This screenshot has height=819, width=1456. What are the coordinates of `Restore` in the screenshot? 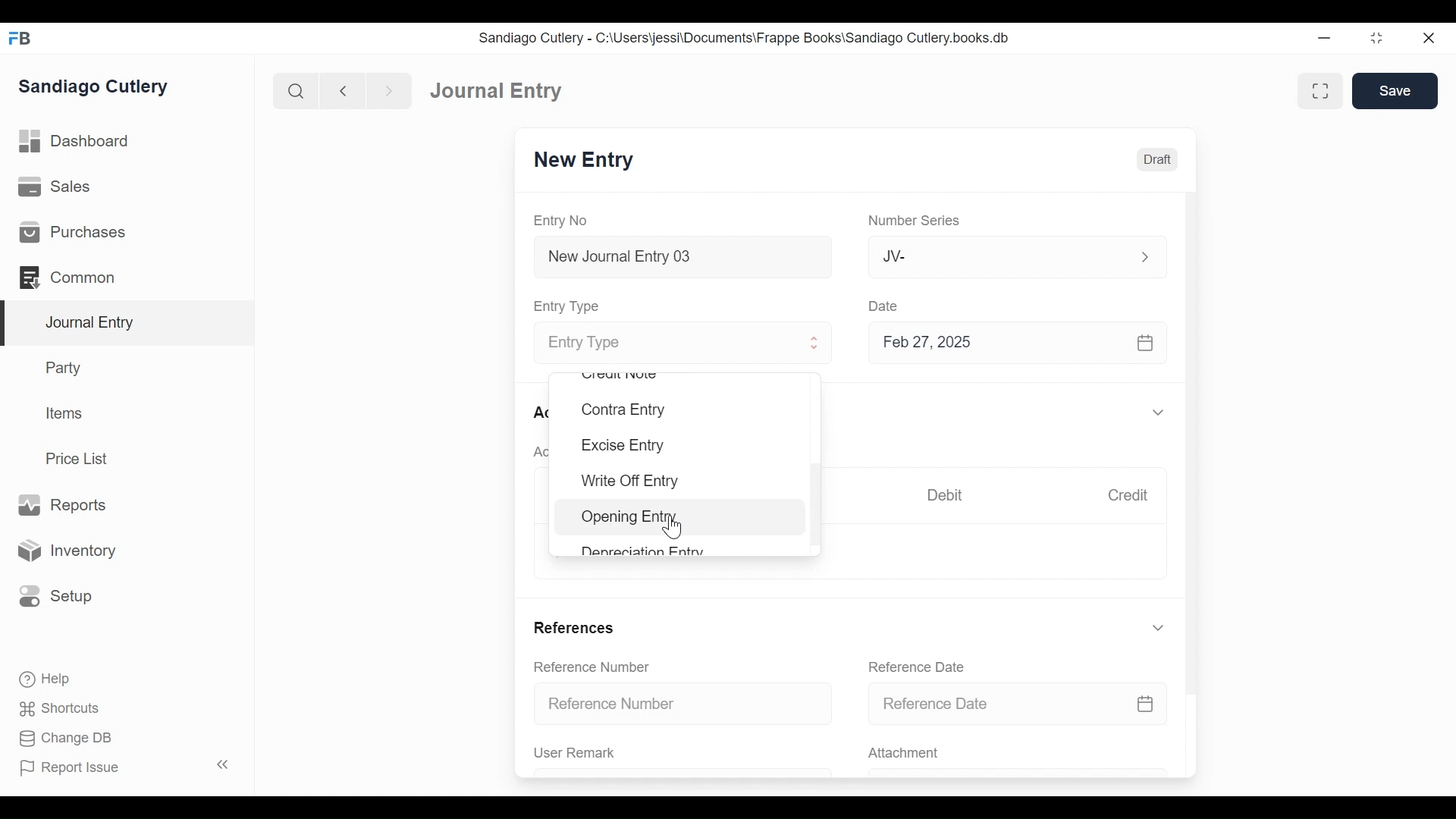 It's located at (1376, 37).